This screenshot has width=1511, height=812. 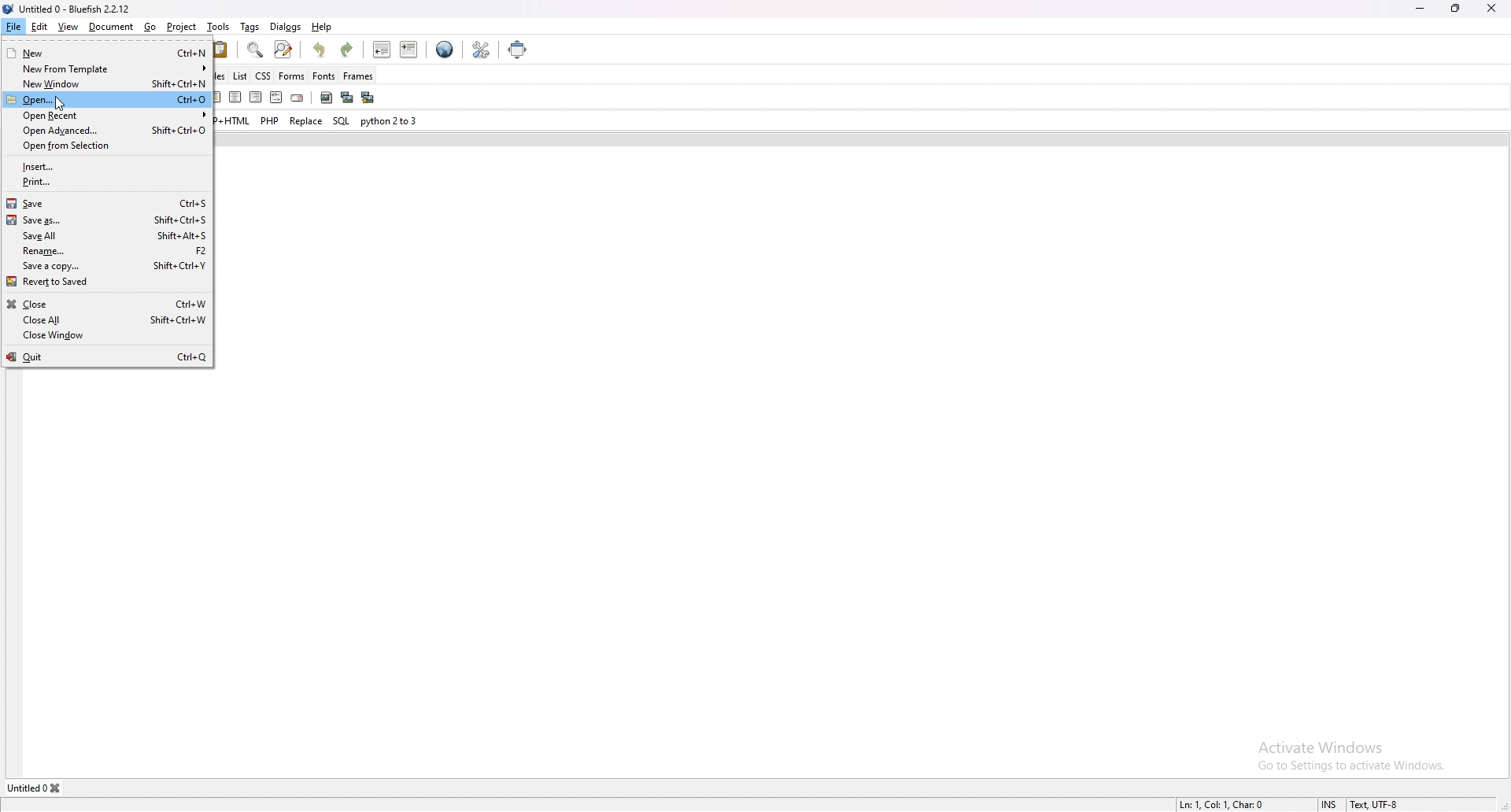 What do you see at coordinates (359, 76) in the screenshot?
I see `frames` at bounding box center [359, 76].